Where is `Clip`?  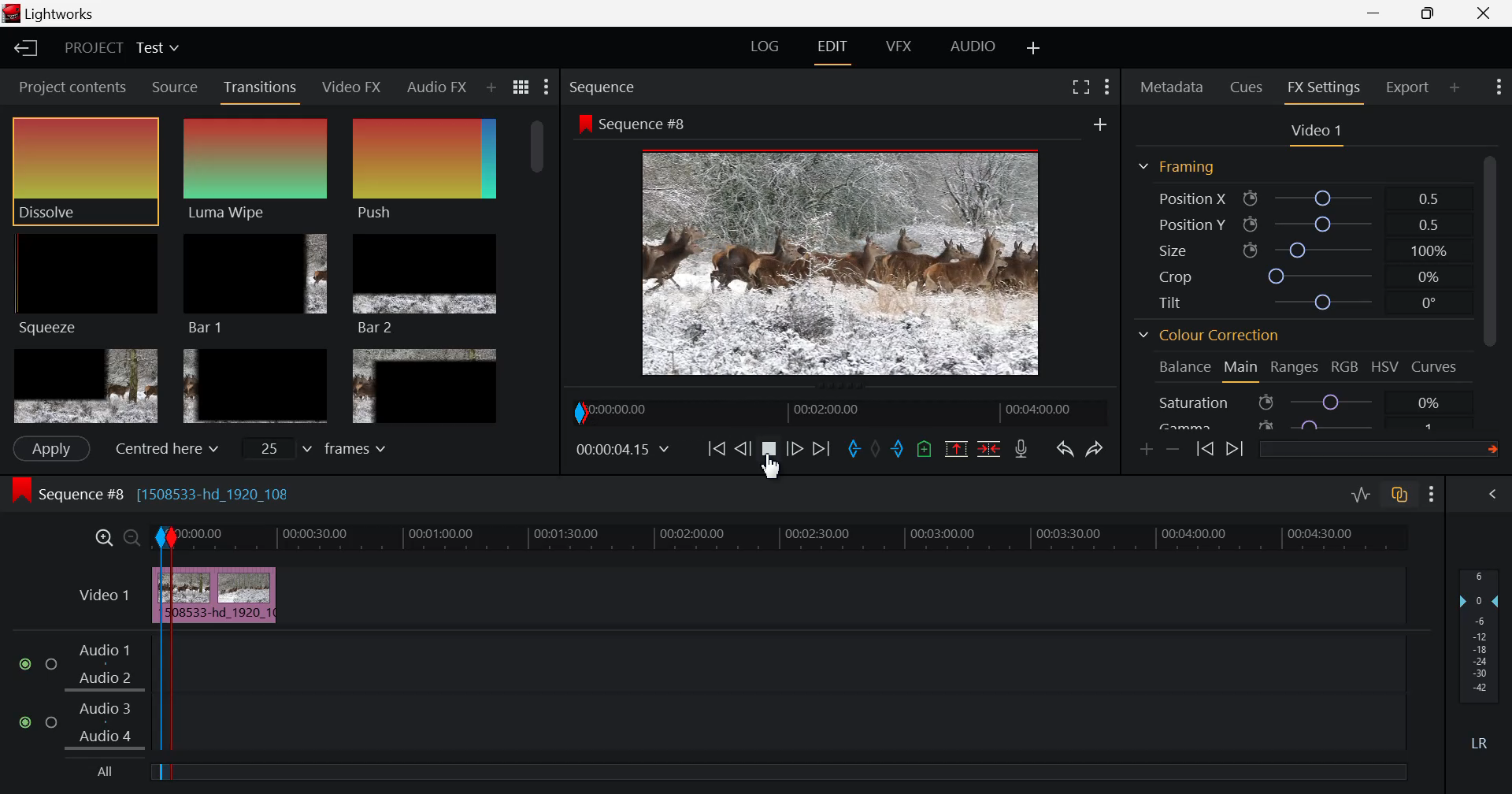 Clip is located at coordinates (244, 596).